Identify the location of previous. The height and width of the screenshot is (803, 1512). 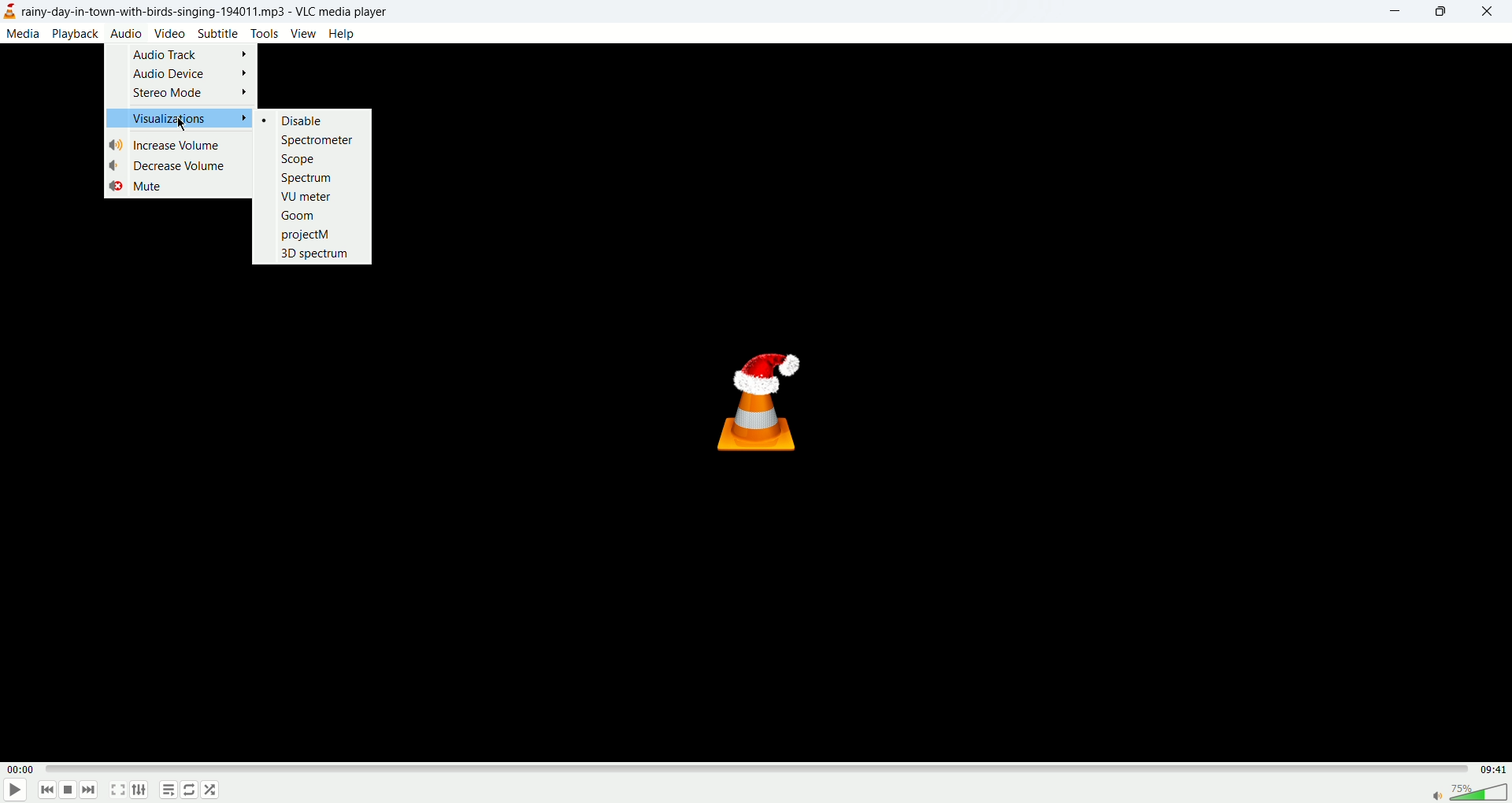
(48, 791).